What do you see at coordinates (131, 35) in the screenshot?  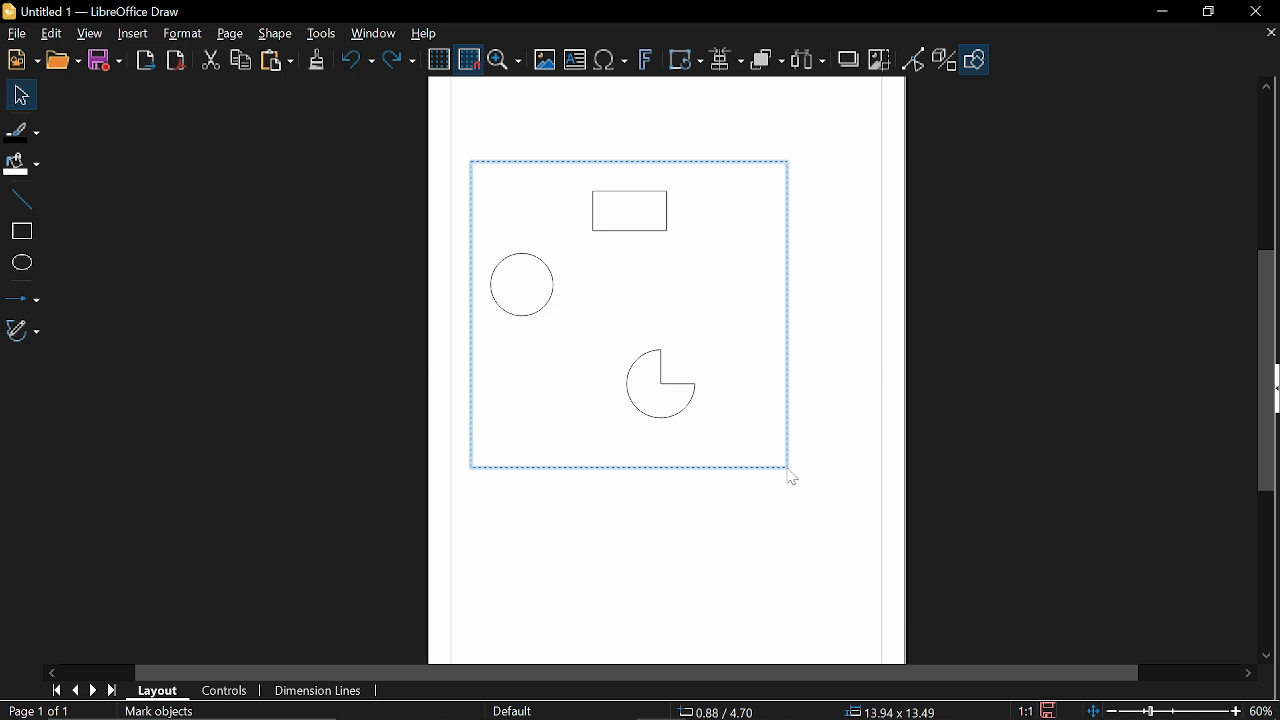 I see `Insert` at bounding box center [131, 35].